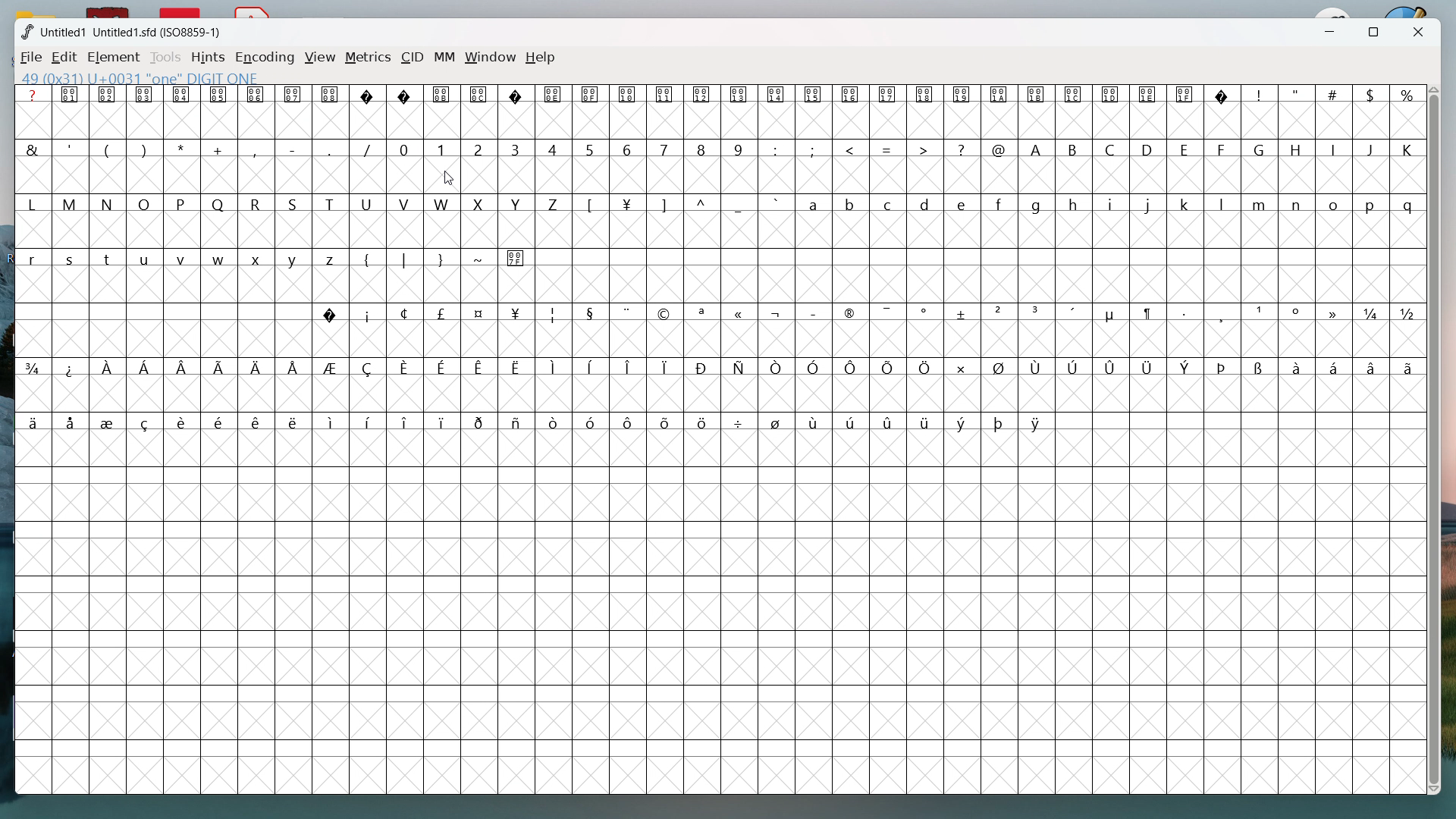  I want to click on s, so click(71, 258).